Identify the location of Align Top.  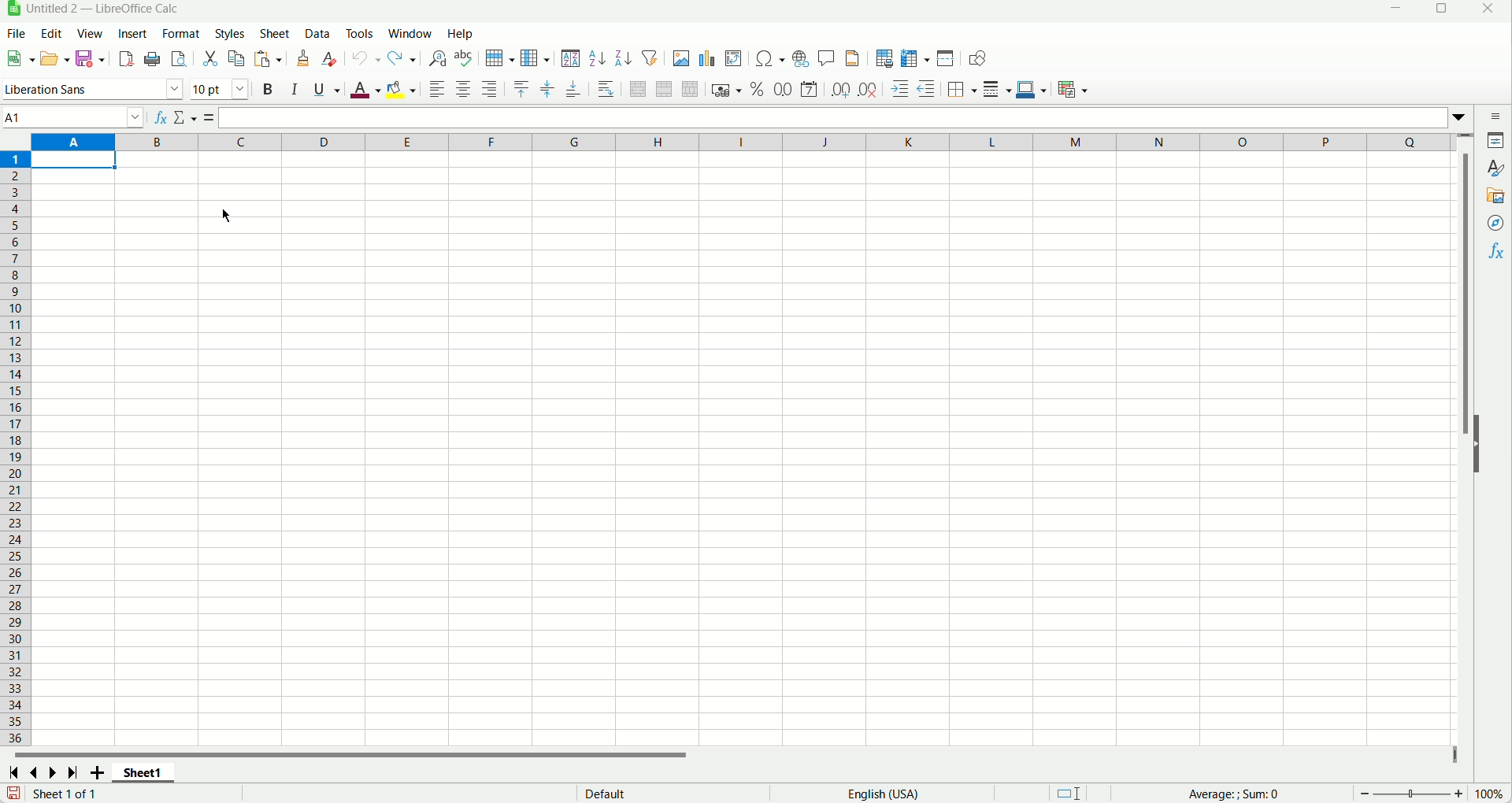
(521, 90).